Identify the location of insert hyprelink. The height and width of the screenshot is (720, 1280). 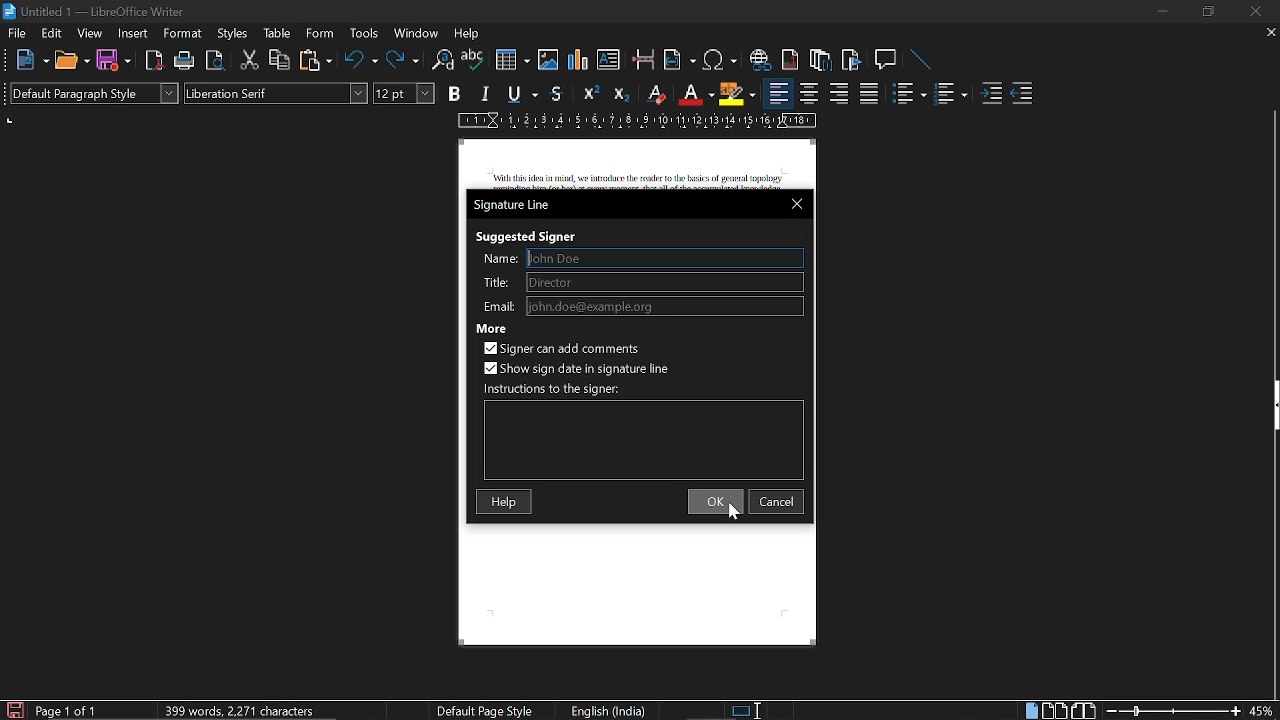
(760, 59).